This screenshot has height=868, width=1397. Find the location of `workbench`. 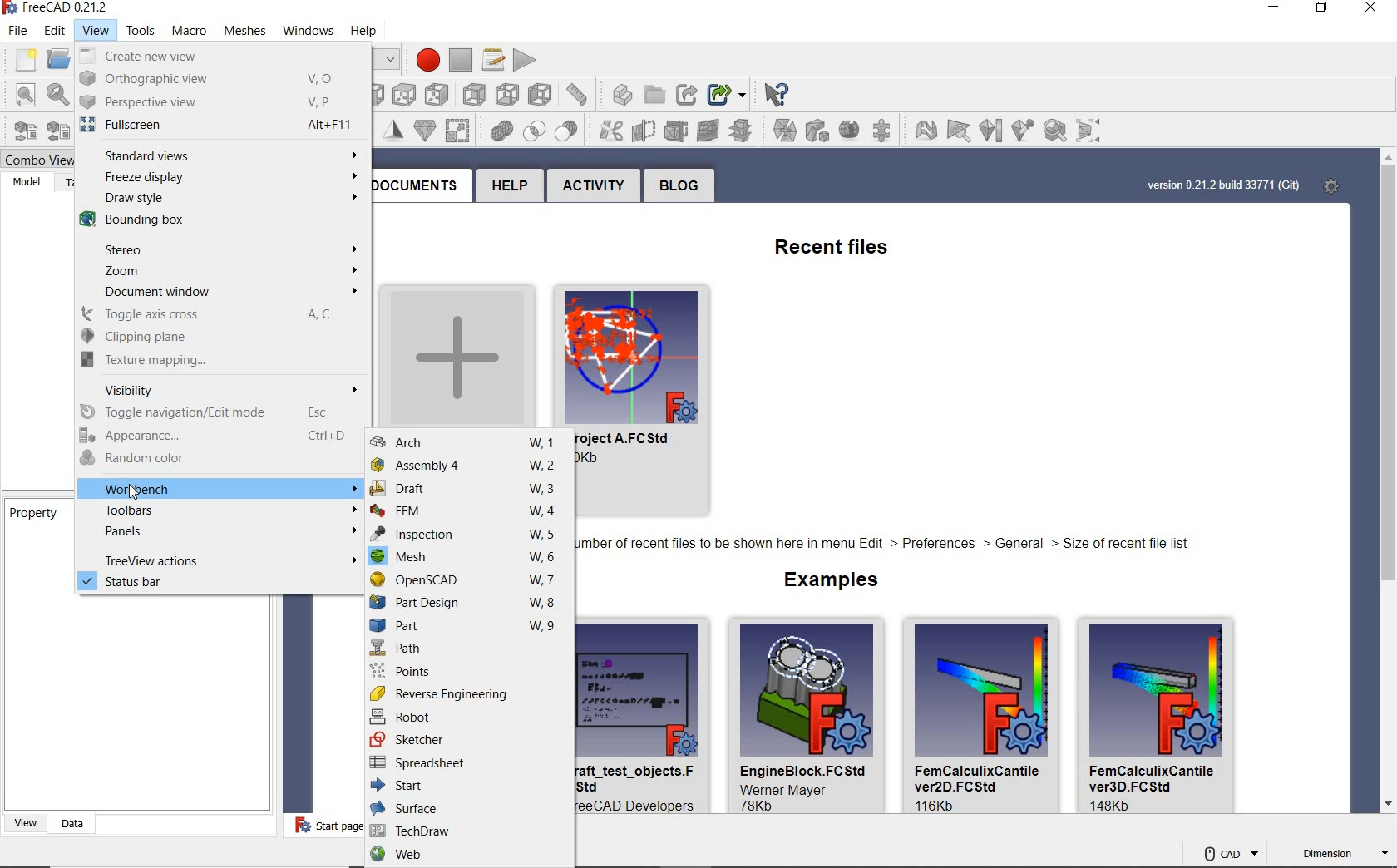

workbench is located at coordinates (221, 489).